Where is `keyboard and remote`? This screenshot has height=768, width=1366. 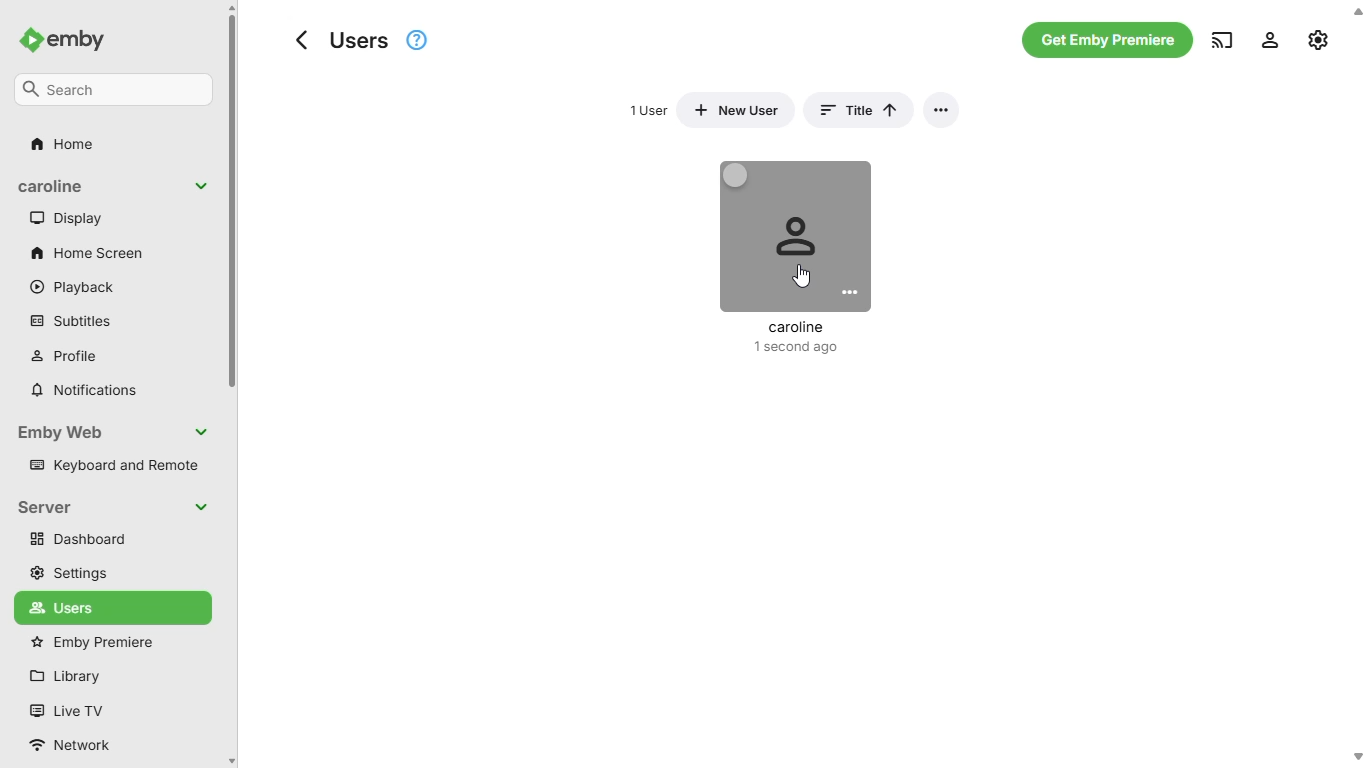 keyboard and remote is located at coordinates (114, 464).